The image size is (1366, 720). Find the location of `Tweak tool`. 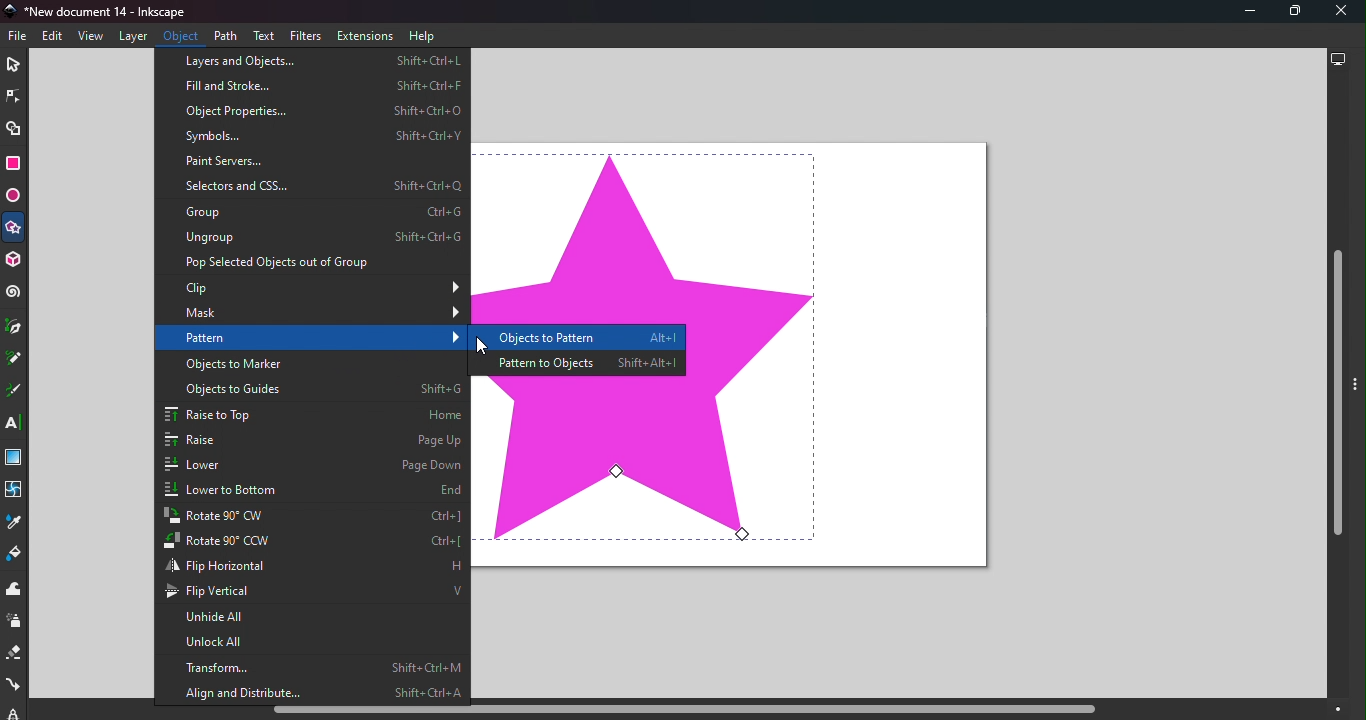

Tweak tool is located at coordinates (17, 590).